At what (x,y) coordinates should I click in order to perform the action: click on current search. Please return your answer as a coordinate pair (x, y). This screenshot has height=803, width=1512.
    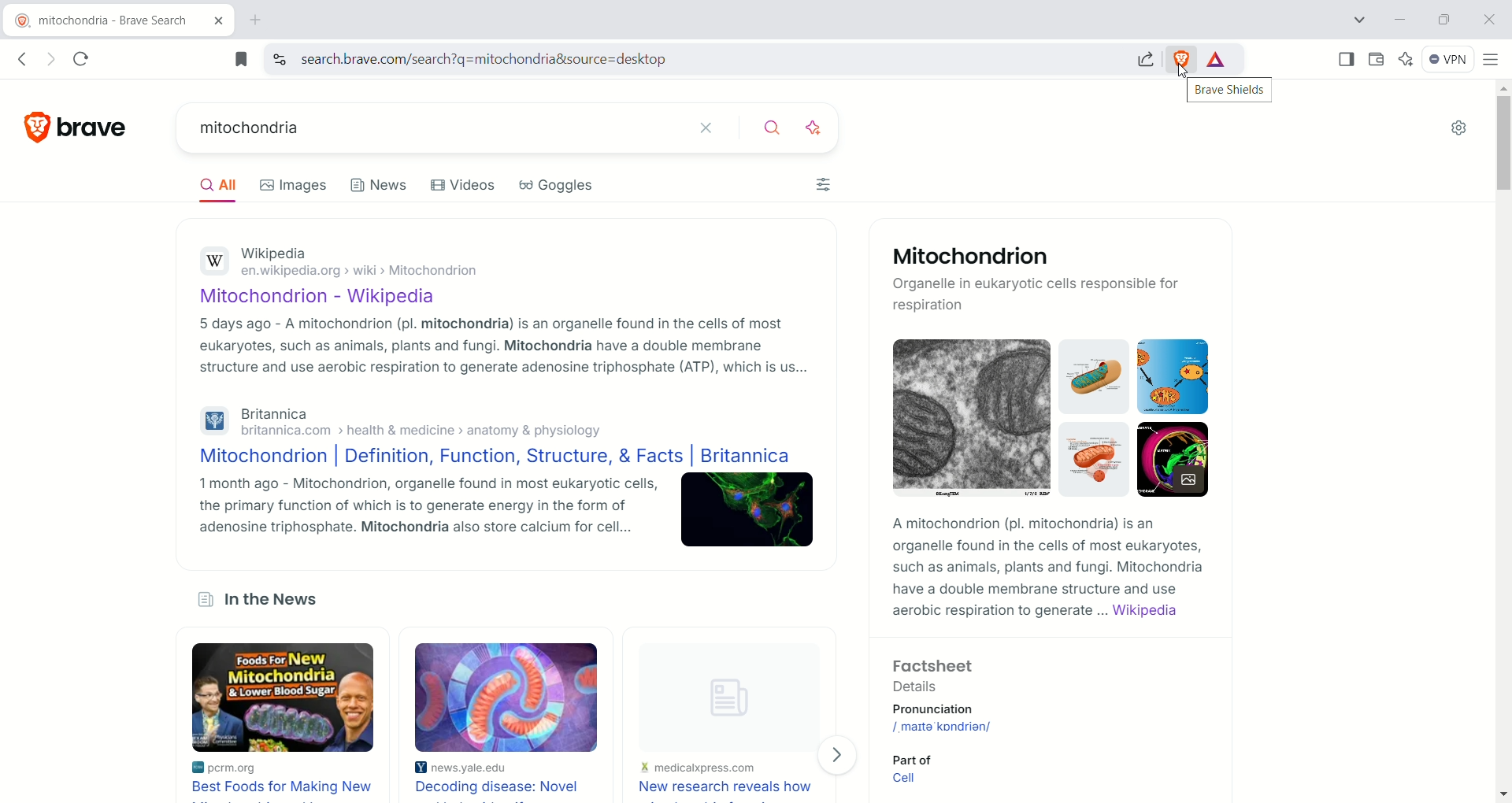
    Looking at the image, I should click on (431, 128).